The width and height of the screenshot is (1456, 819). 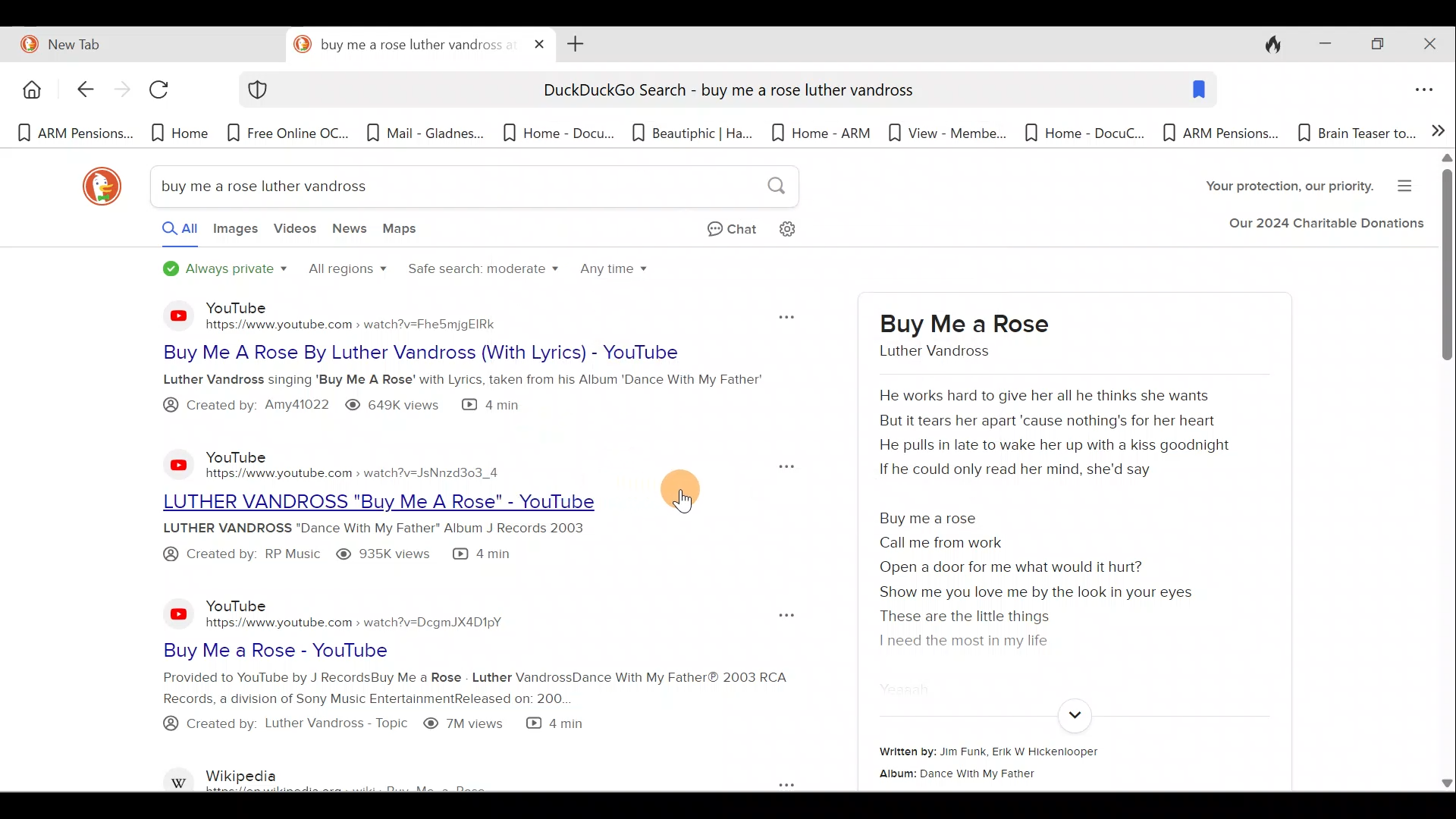 I want to click on Bookmark 7, so click(x=823, y=134).